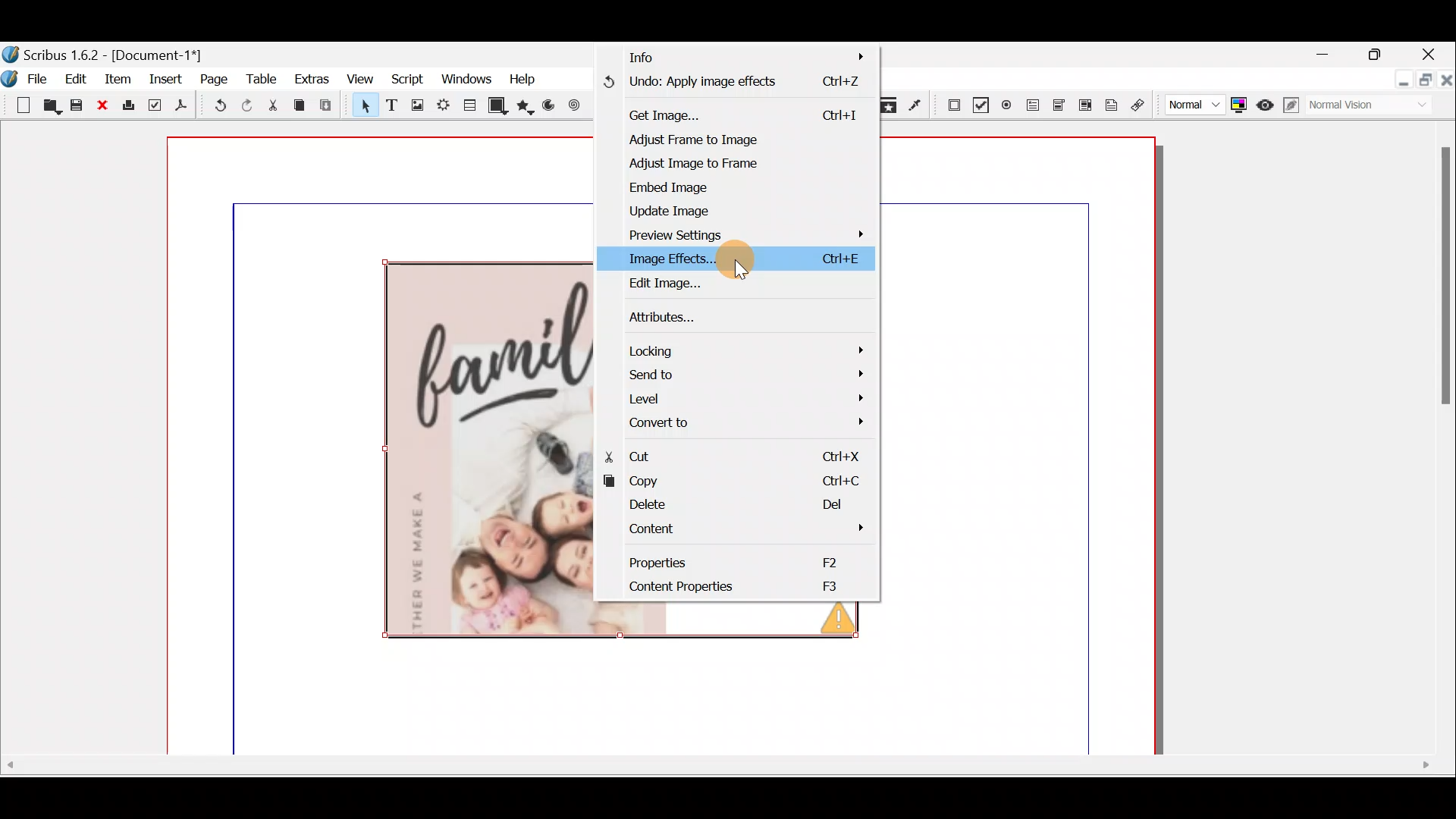 The width and height of the screenshot is (1456, 819). I want to click on Item, so click(116, 78).